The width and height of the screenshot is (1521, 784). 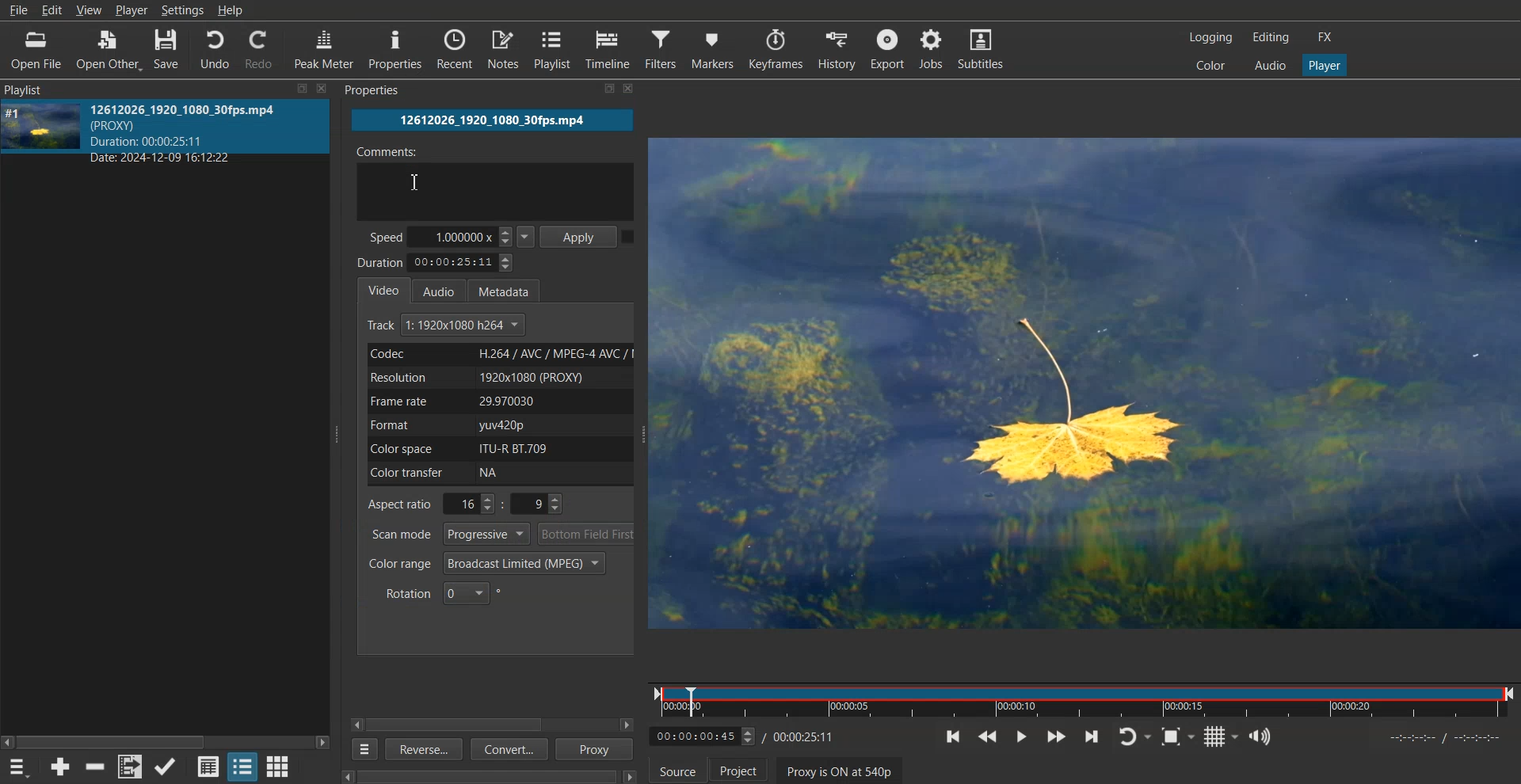 What do you see at coordinates (1221, 736) in the screenshot?
I see `Toggle grid display on the player` at bounding box center [1221, 736].